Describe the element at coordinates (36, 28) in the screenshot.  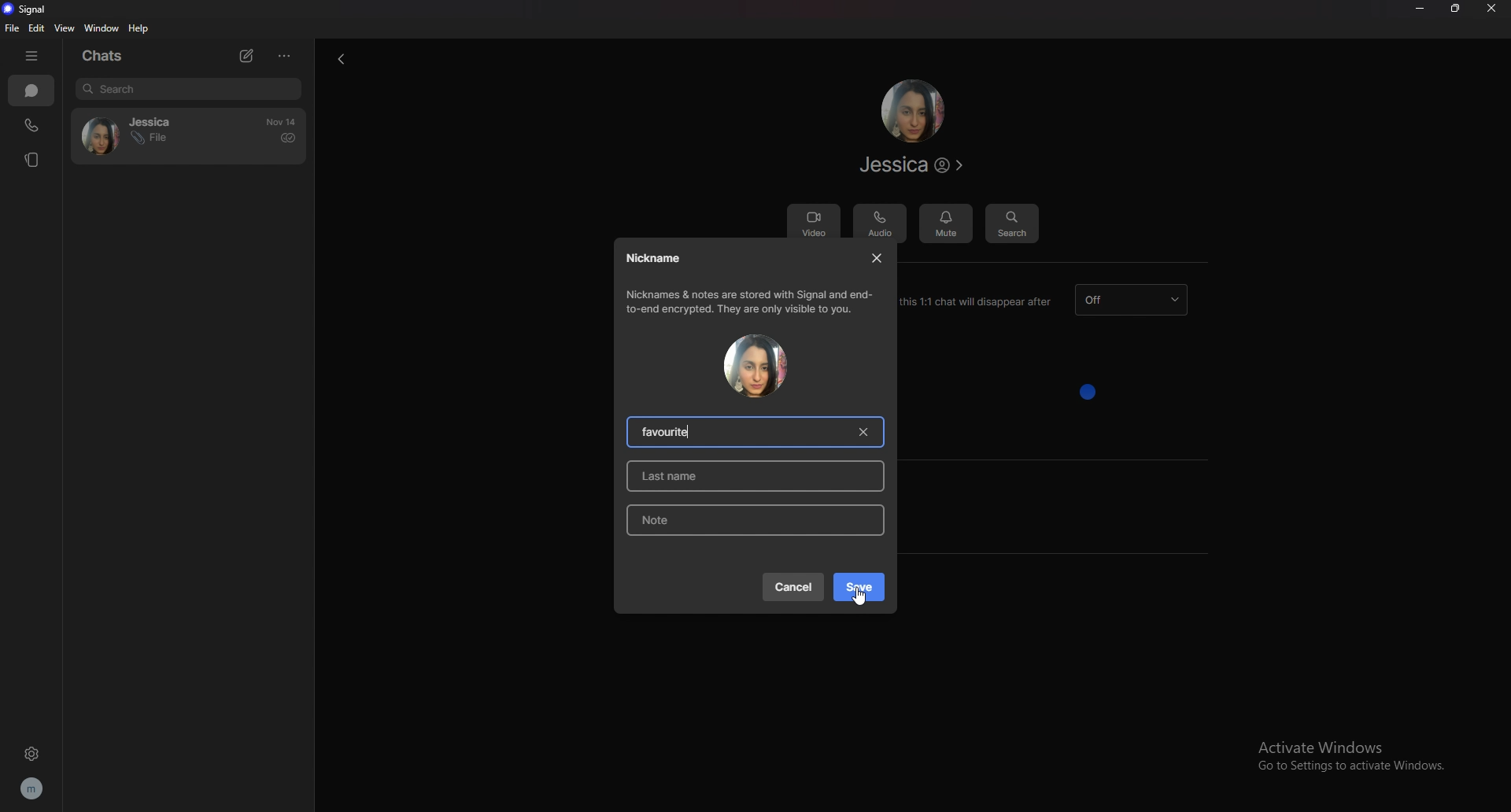
I see `edit` at that location.